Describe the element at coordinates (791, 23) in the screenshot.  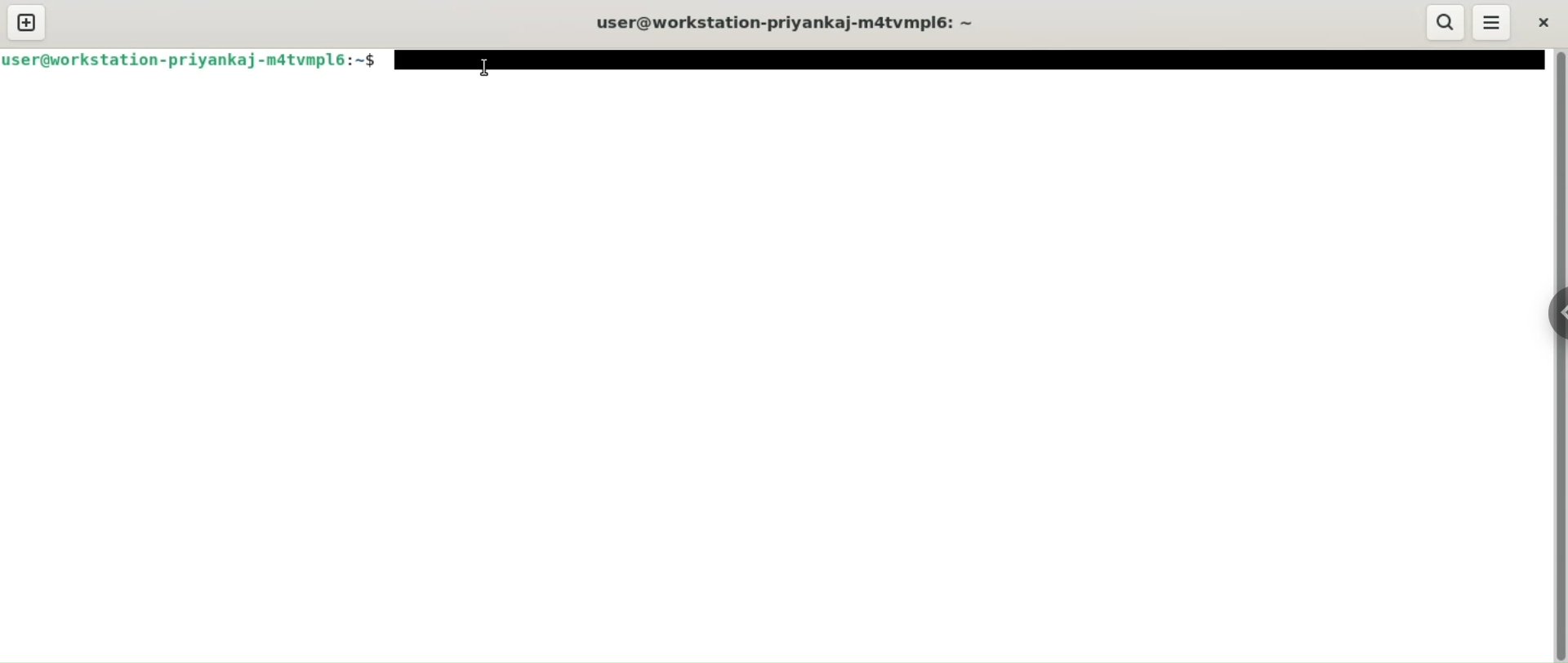
I see `user@workstation-priyankaj-m4atvmpl6:~` at that location.